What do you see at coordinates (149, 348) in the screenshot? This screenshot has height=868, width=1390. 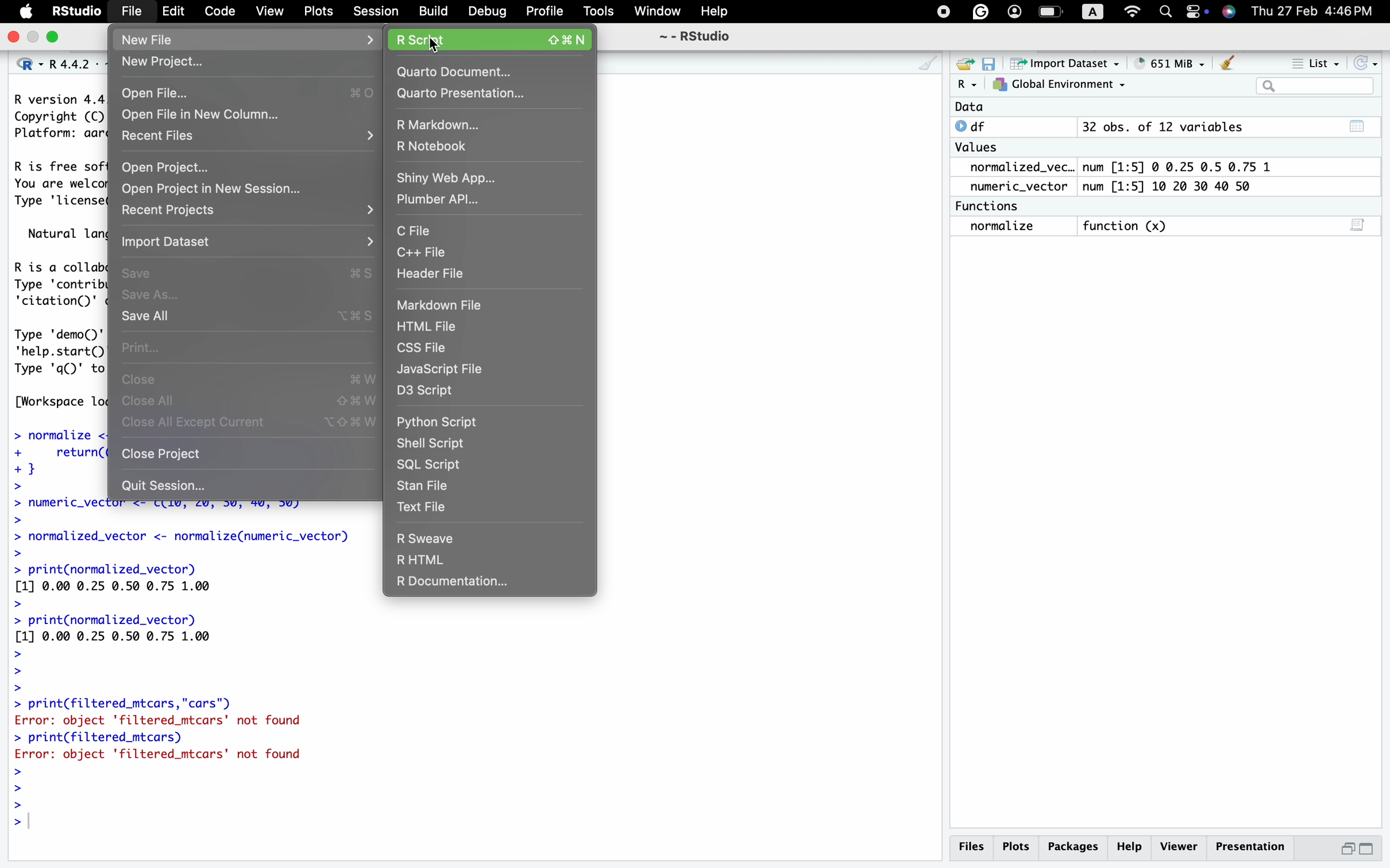 I see `Print...` at bounding box center [149, 348].